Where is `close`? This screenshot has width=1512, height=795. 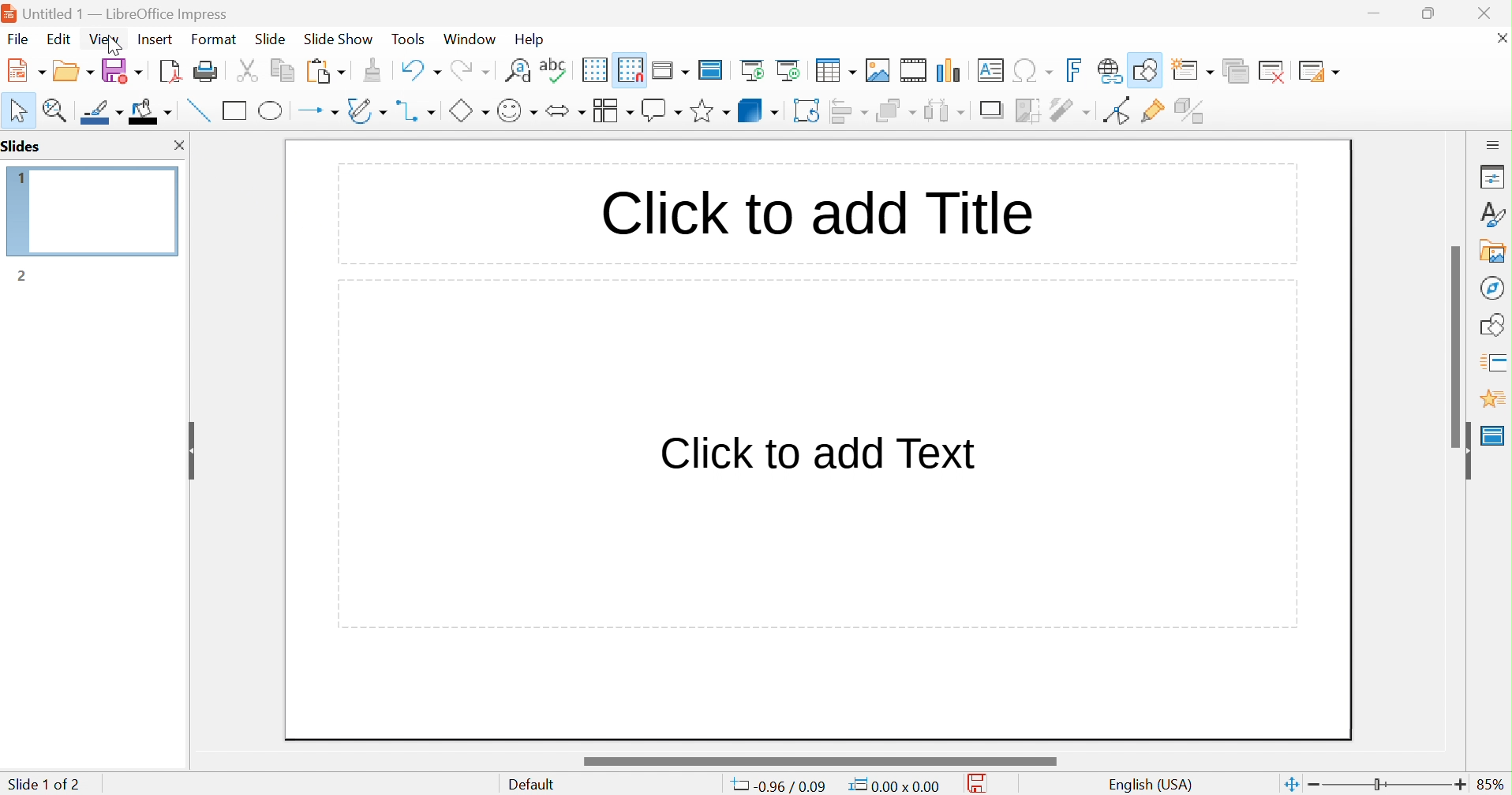
close is located at coordinates (1499, 37).